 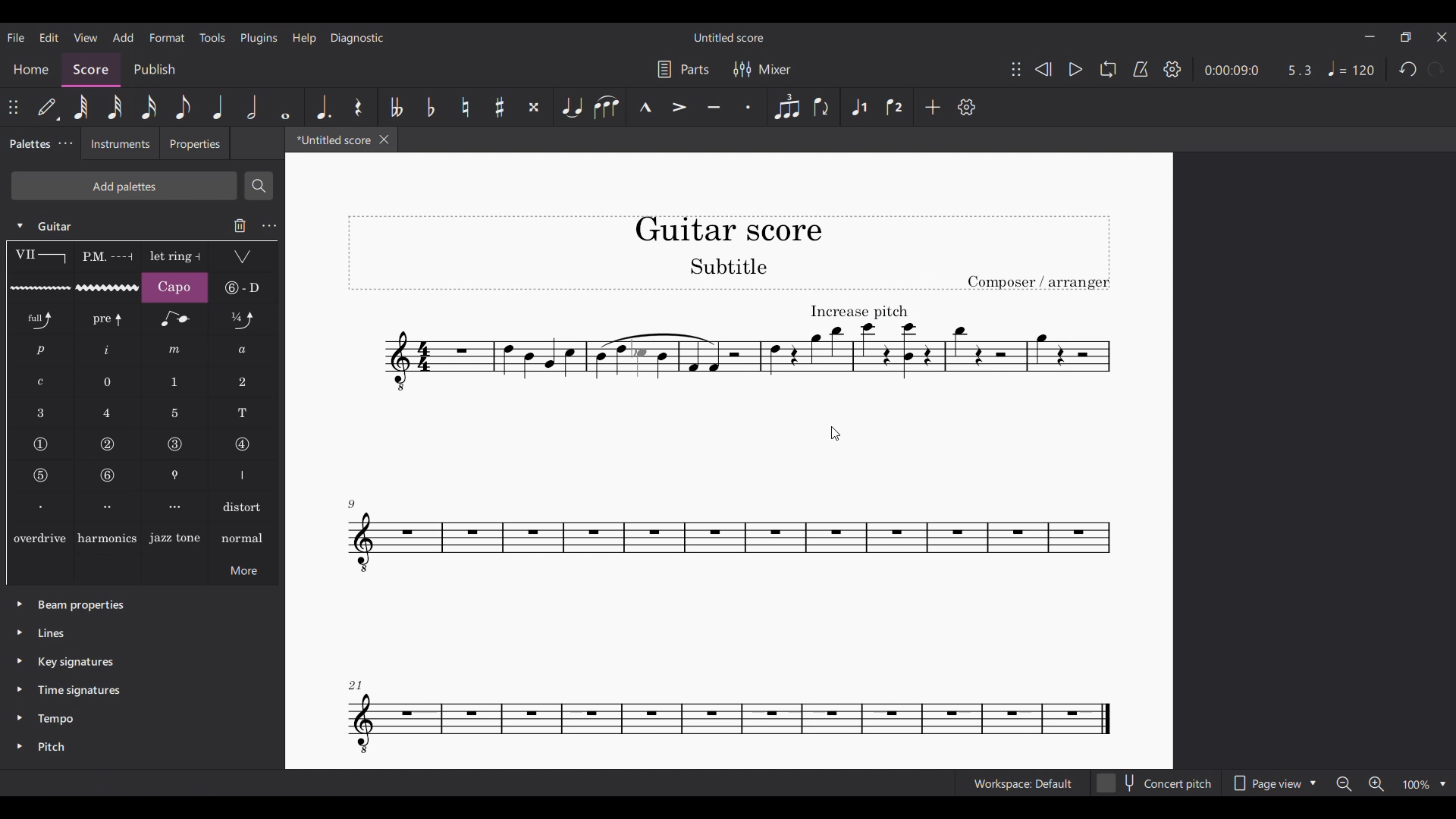 I want to click on String tunings, so click(x=243, y=287).